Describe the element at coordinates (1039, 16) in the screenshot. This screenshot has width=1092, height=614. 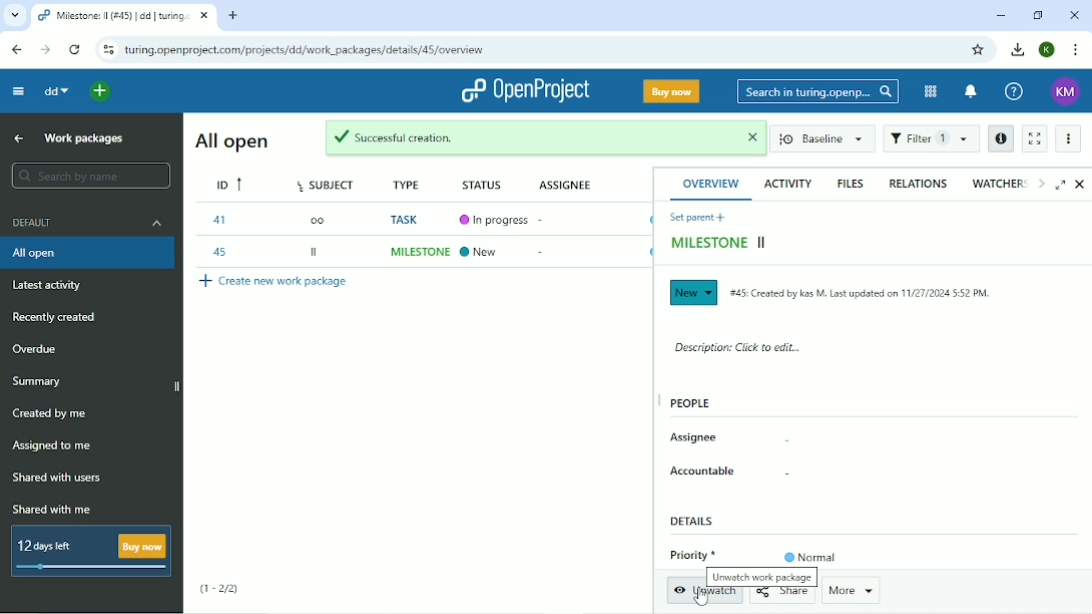
I see `Restore down` at that location.